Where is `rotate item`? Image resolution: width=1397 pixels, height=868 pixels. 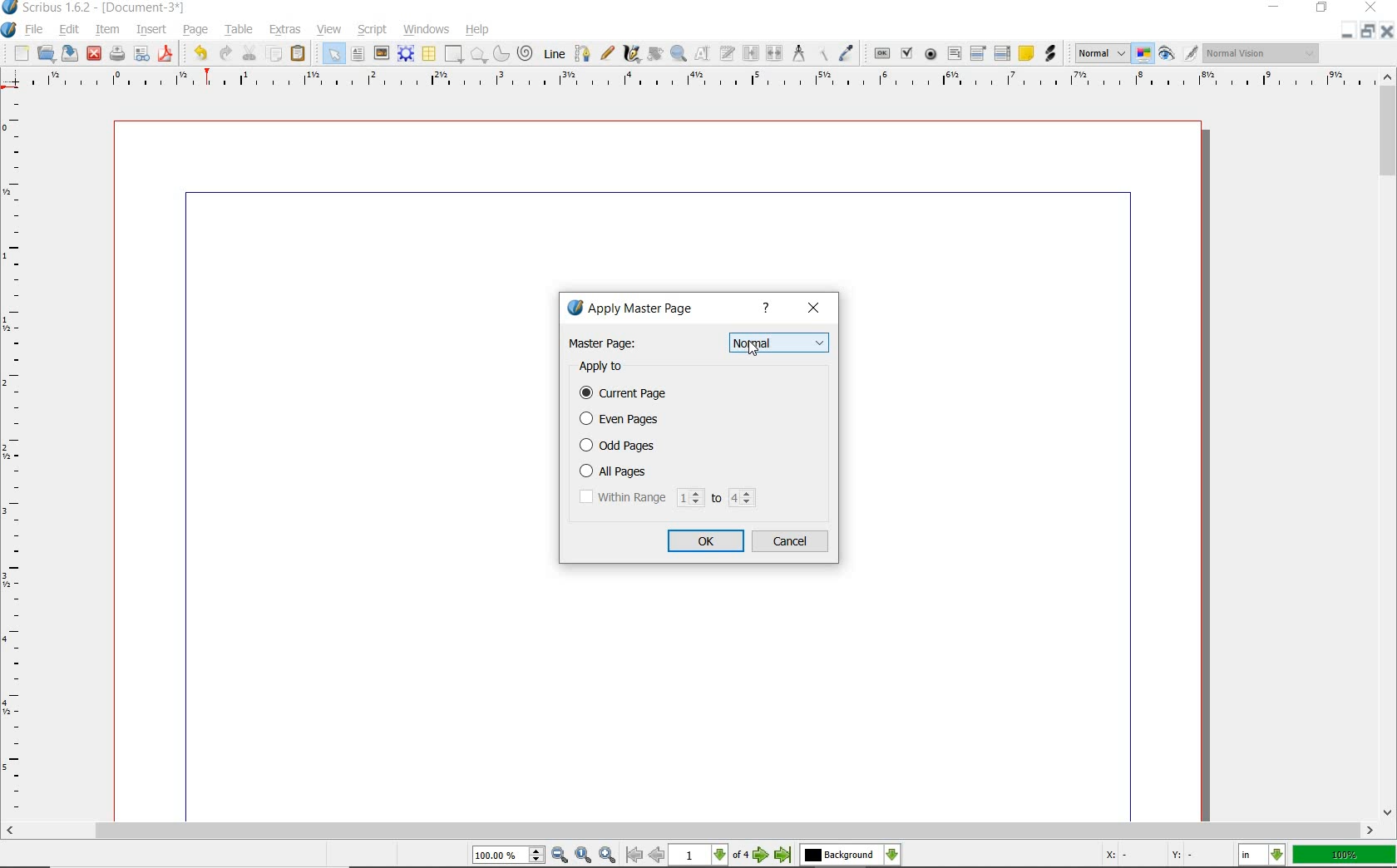 rotate item is located at coordinates (654, 53).